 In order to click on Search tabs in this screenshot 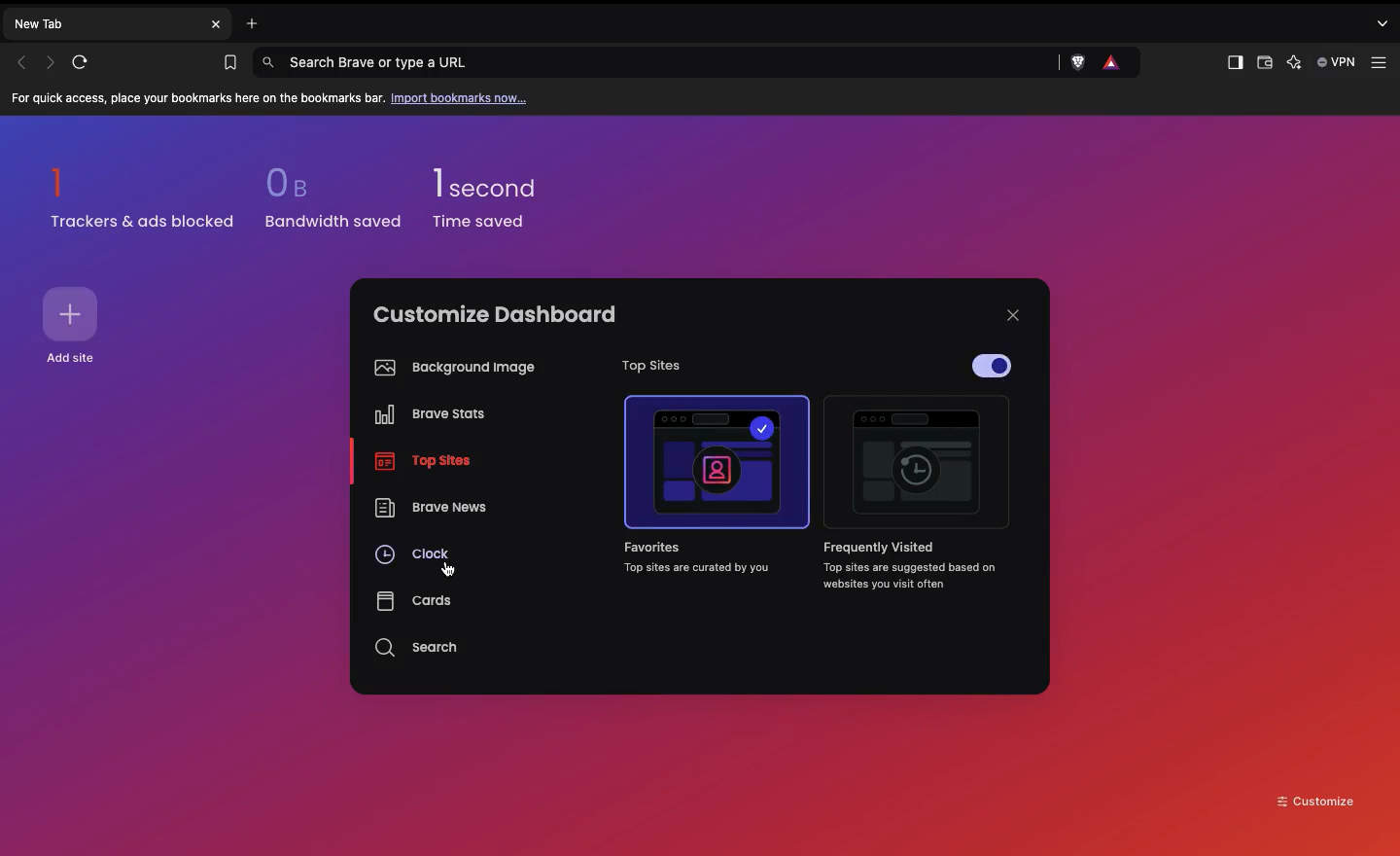, I will do `click(1385, 22)`.